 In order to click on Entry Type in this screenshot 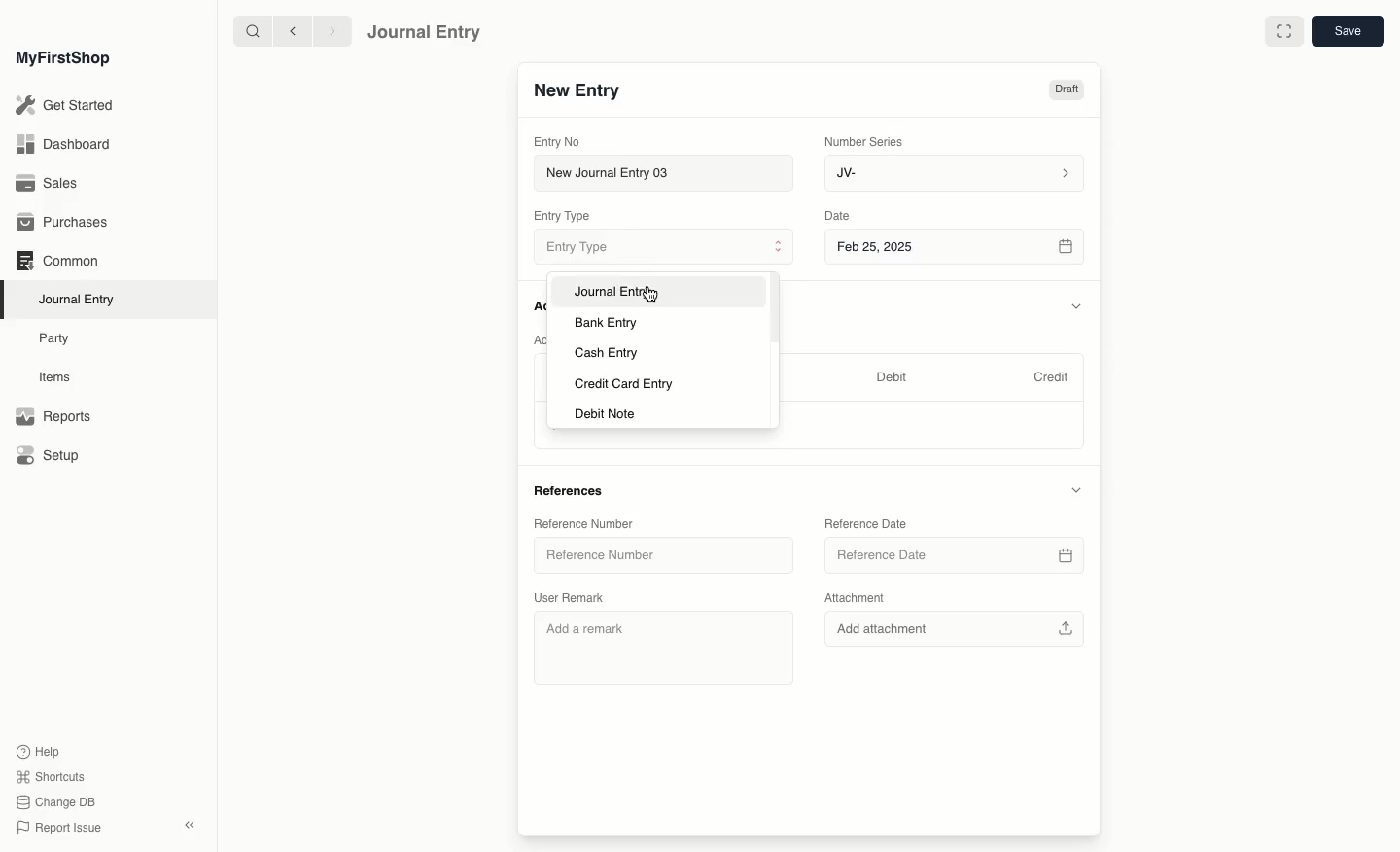, I will do `click(568, 216)`.